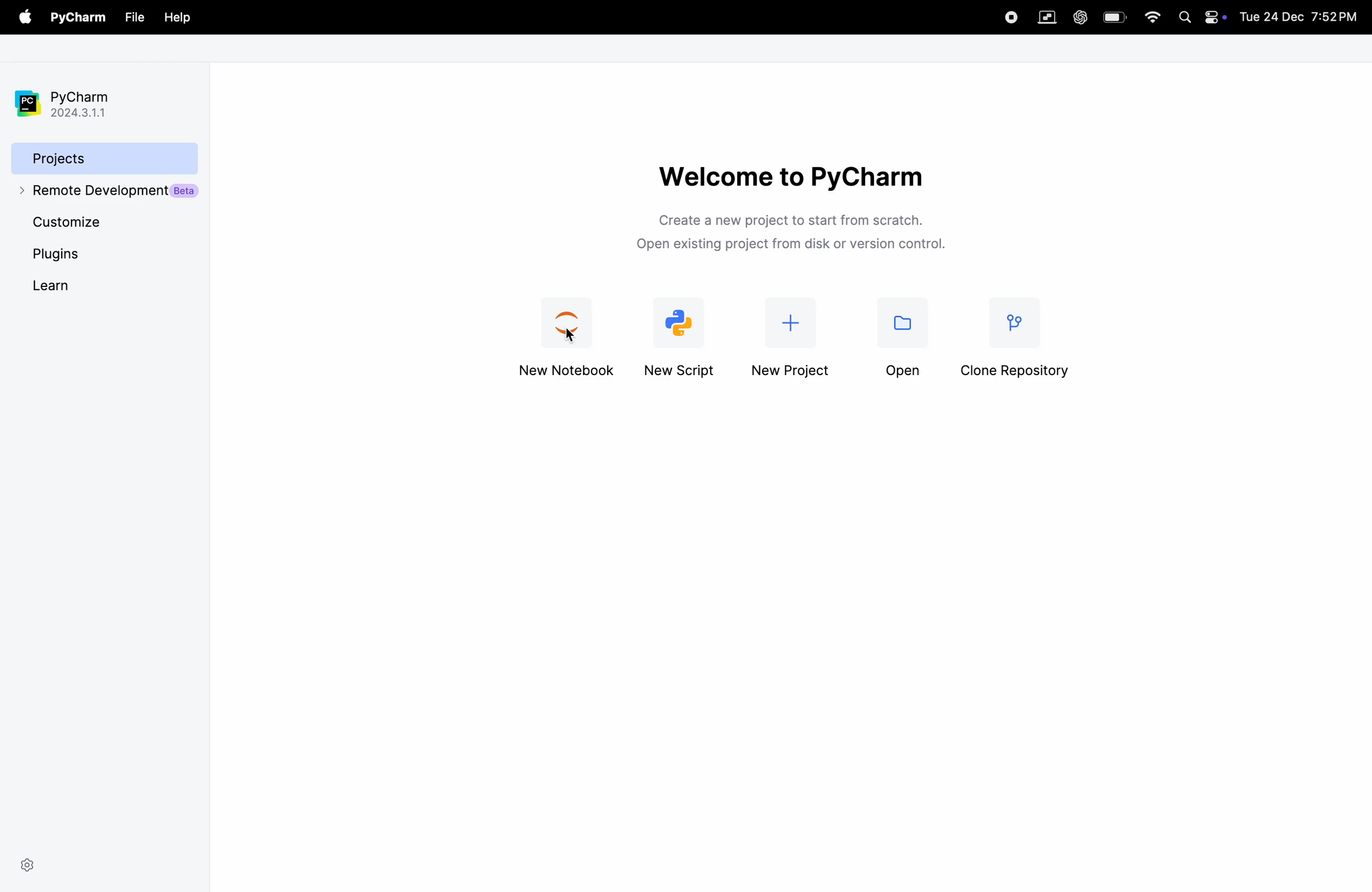 Image resolution: width=1372 pixels, height=892 pixels. Describe the element at coordinates (1299, 17) in the screenshot. I see `Tue 24 Dec 7:52PM` at that location.